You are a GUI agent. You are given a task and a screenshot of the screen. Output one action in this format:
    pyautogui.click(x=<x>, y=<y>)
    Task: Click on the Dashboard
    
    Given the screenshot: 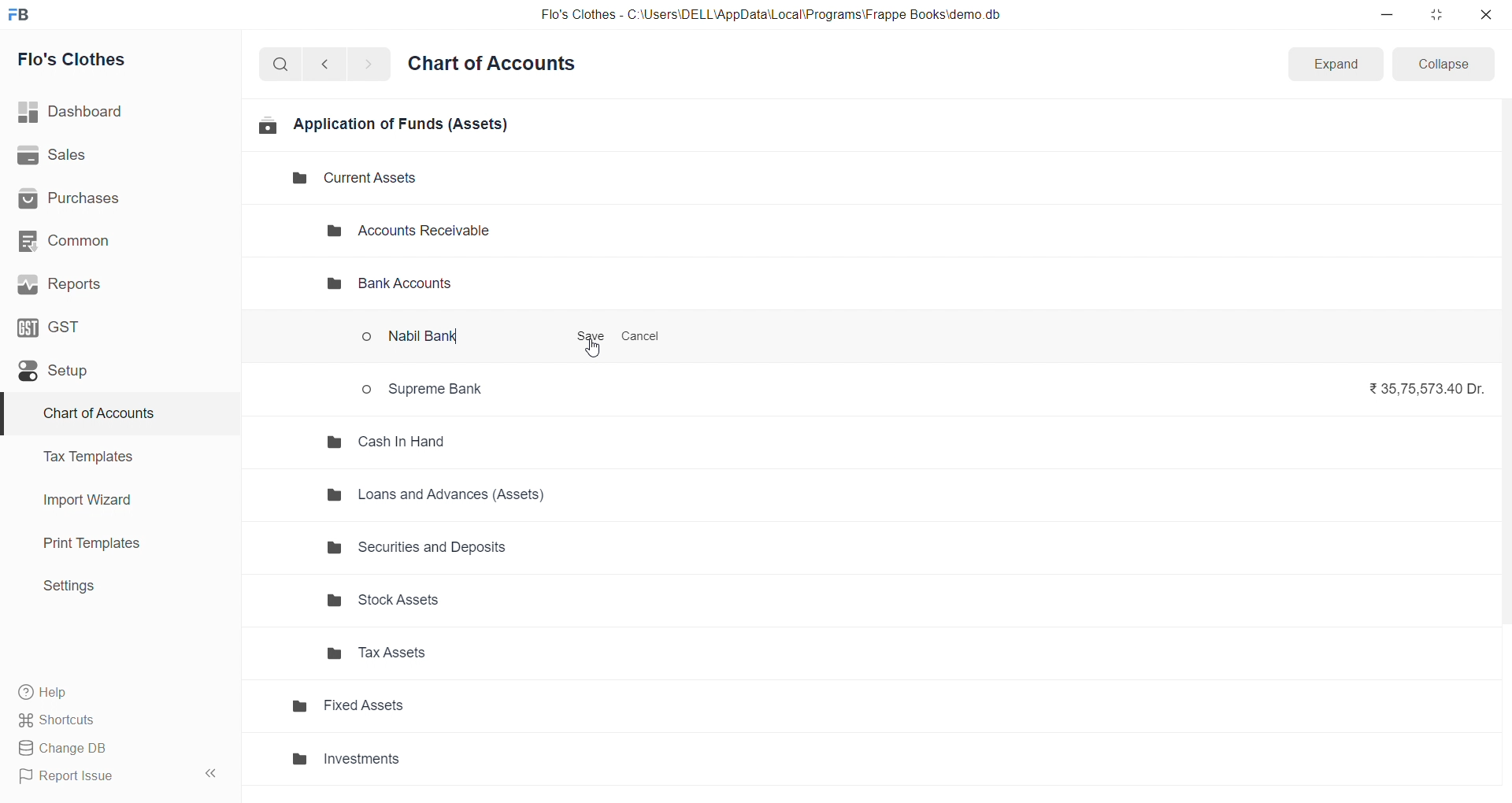 What is the action you would take?
    pyautogui.click(x=116, y=112)
    